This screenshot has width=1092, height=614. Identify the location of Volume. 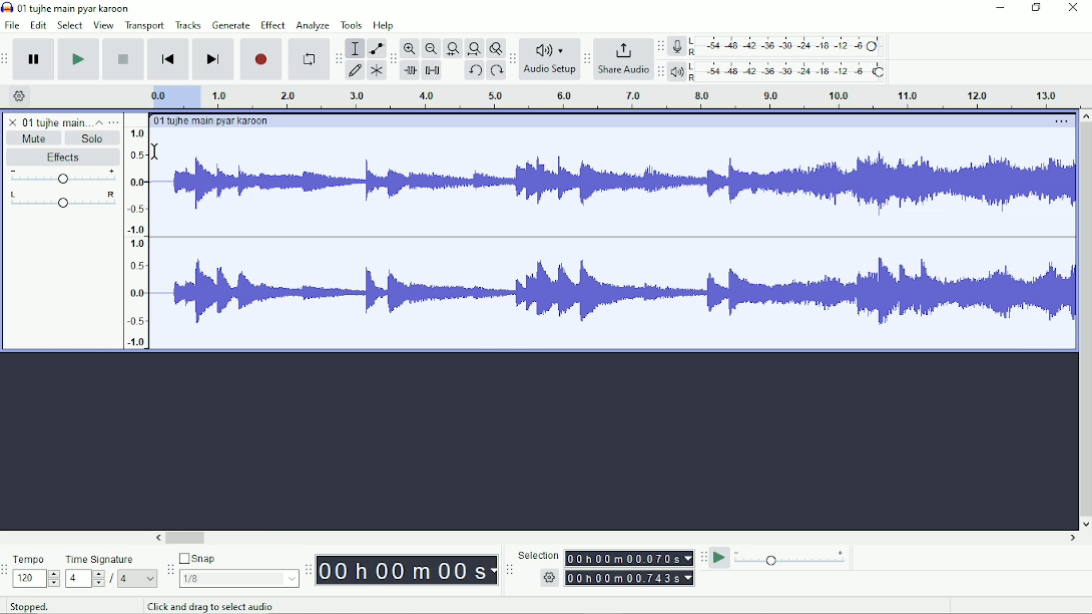
(63, 178).